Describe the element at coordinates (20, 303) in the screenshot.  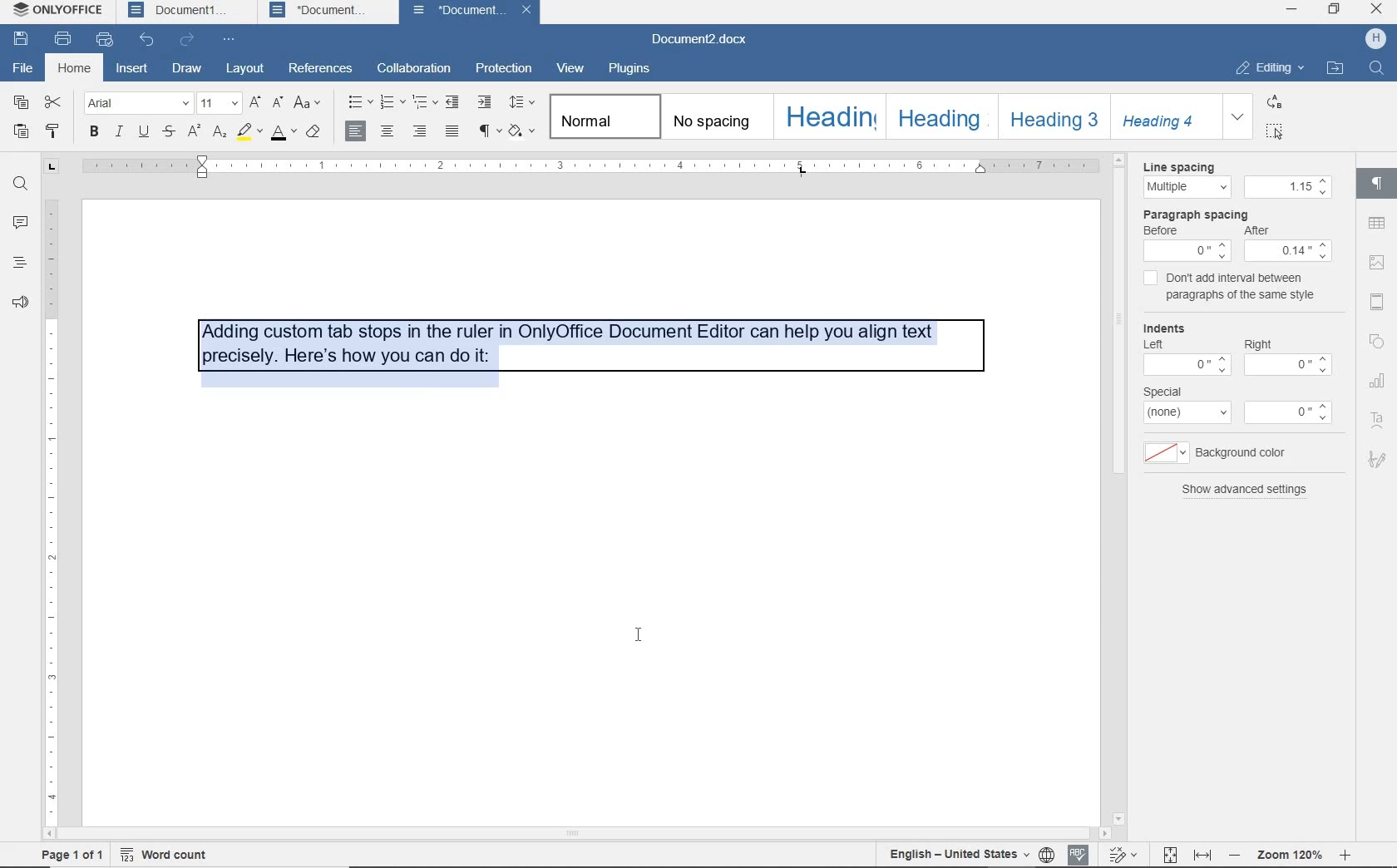
I see `feedback & support` at that location.